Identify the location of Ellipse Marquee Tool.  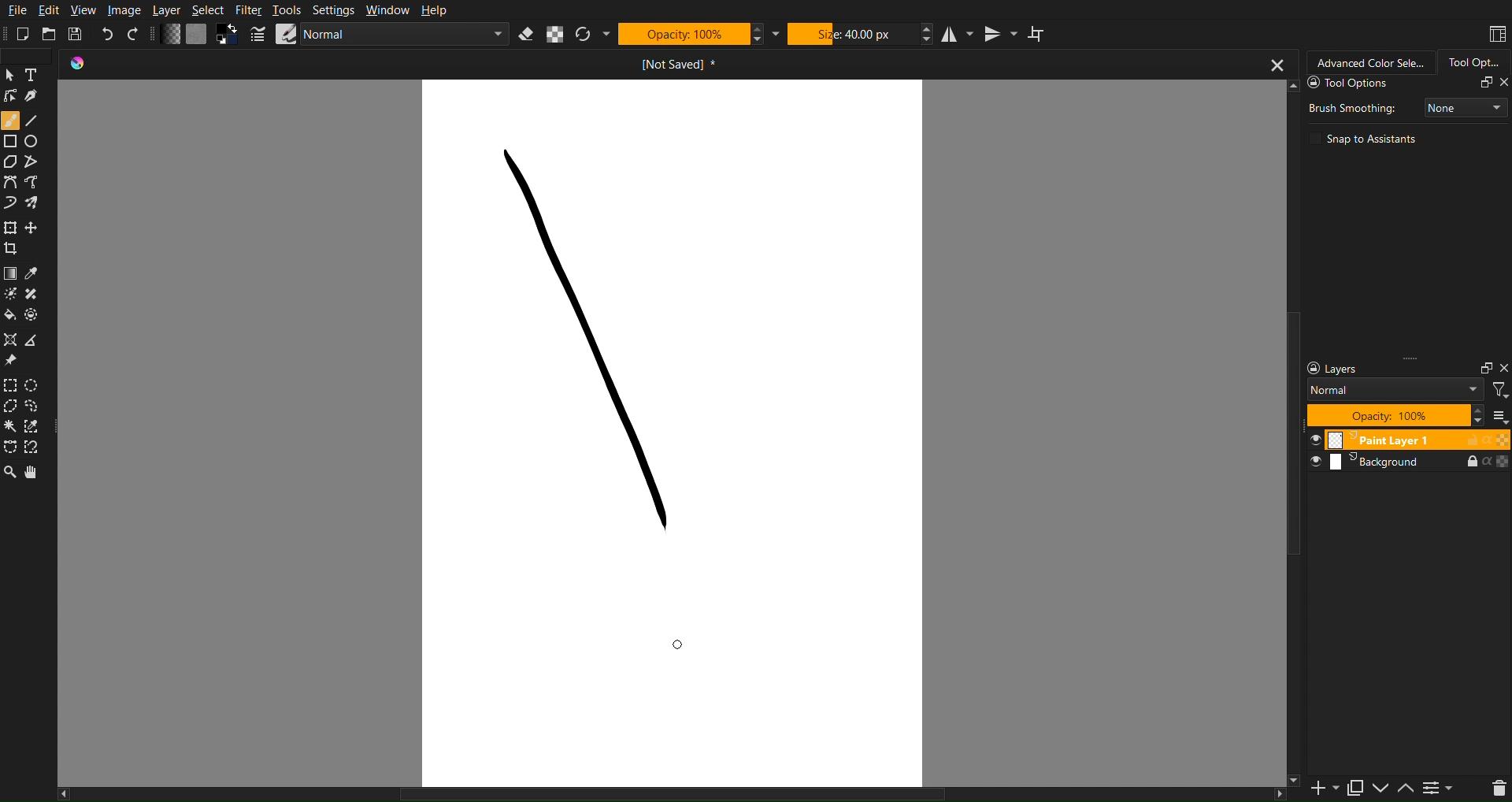
(35, 387).